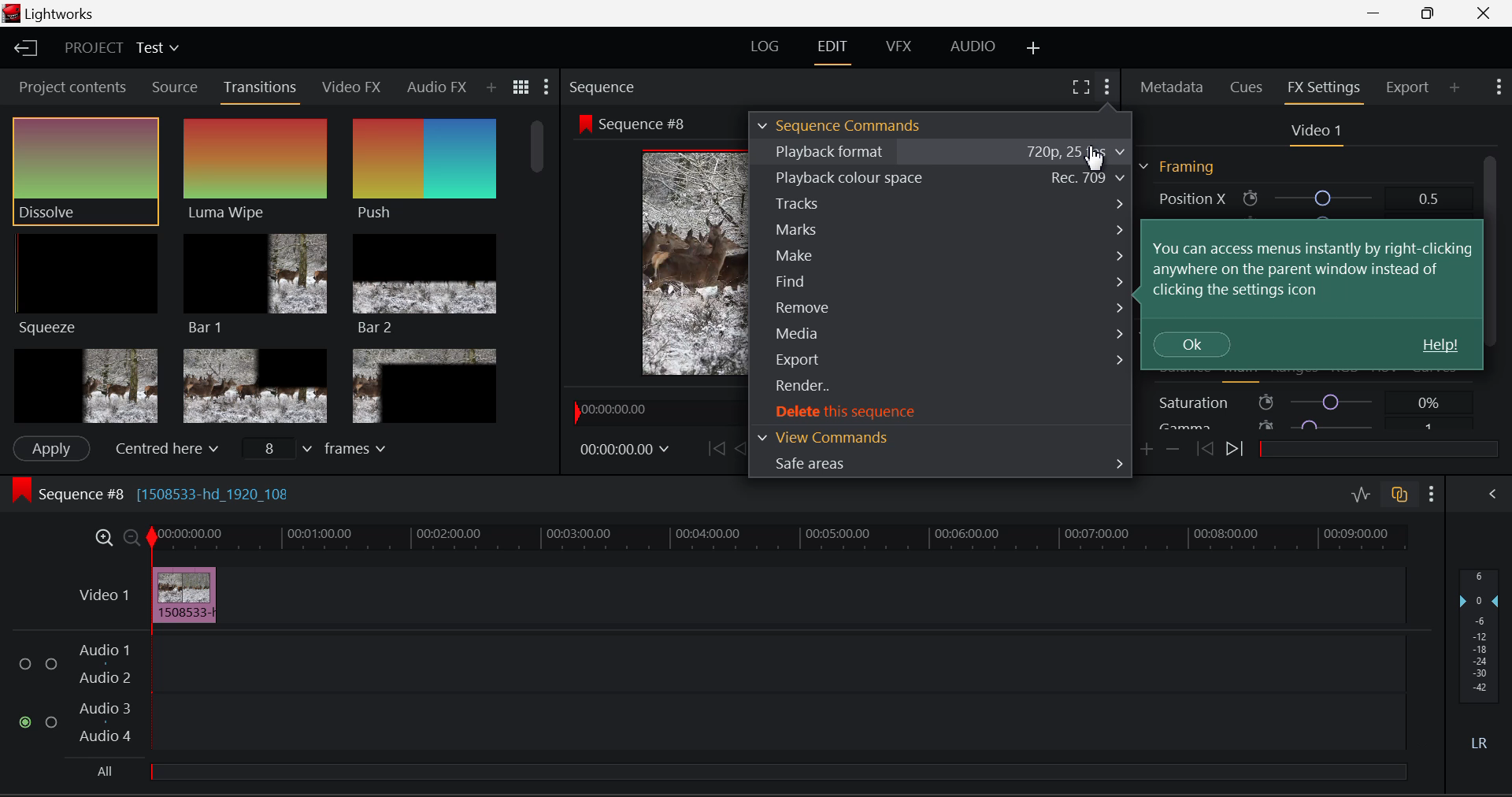 The height and width of the screenshot is (797, 1512). I want to click on Remove, so click(942, 306).